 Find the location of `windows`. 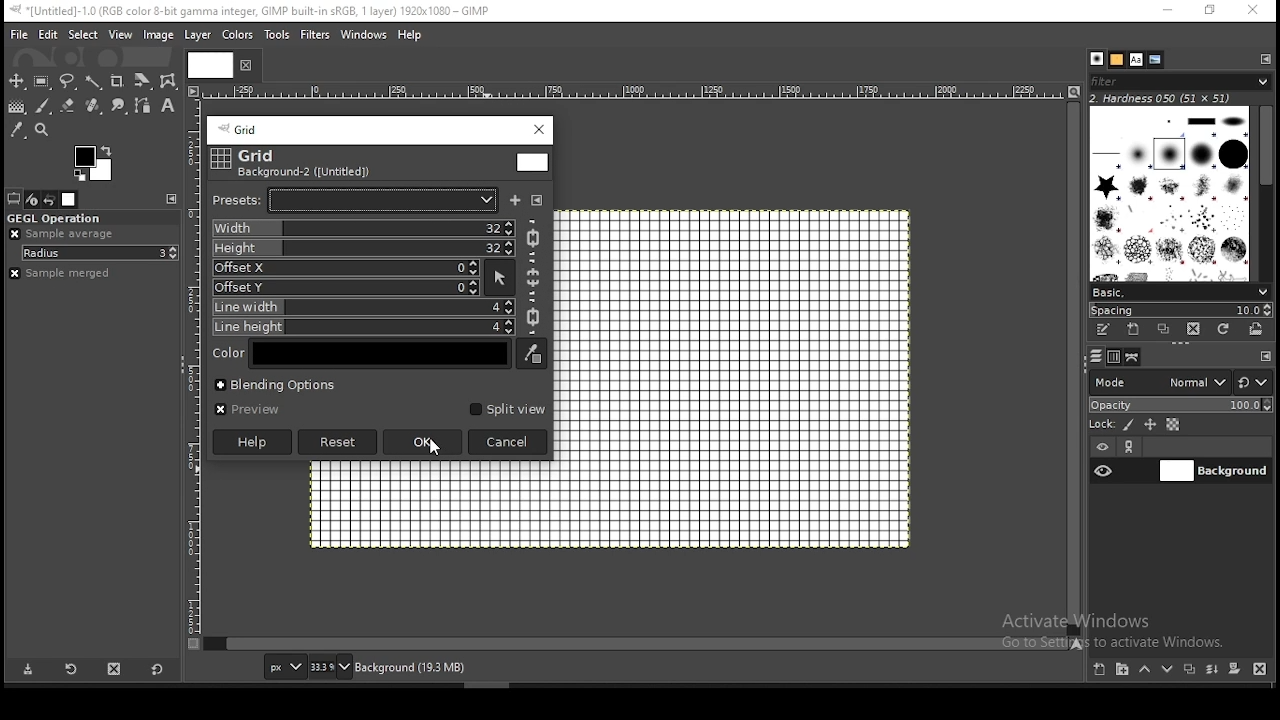

windows is located at coordinates (364, 36).